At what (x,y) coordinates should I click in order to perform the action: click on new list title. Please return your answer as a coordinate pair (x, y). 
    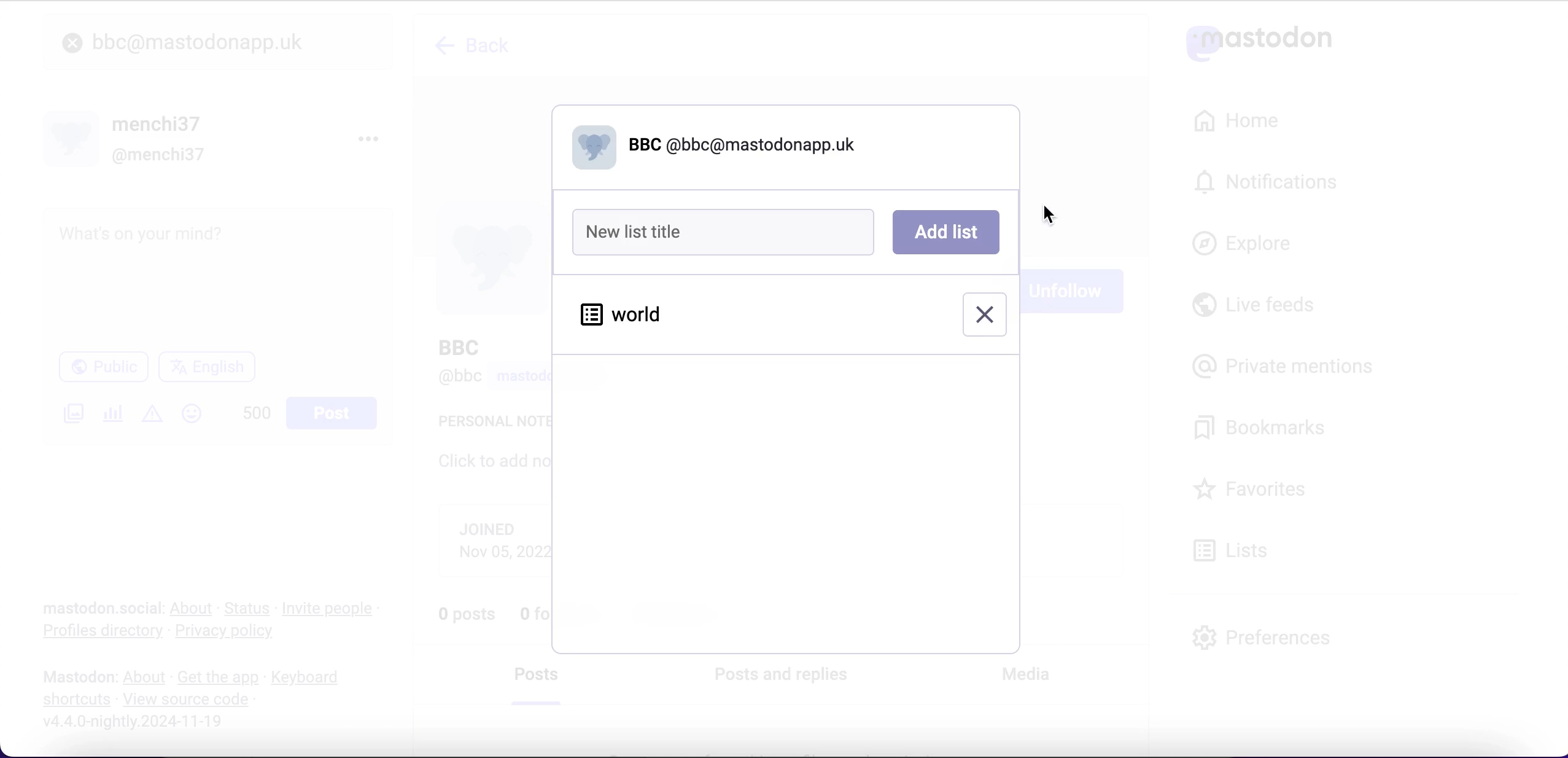
    Looking at the image, I should click on (728, 233).